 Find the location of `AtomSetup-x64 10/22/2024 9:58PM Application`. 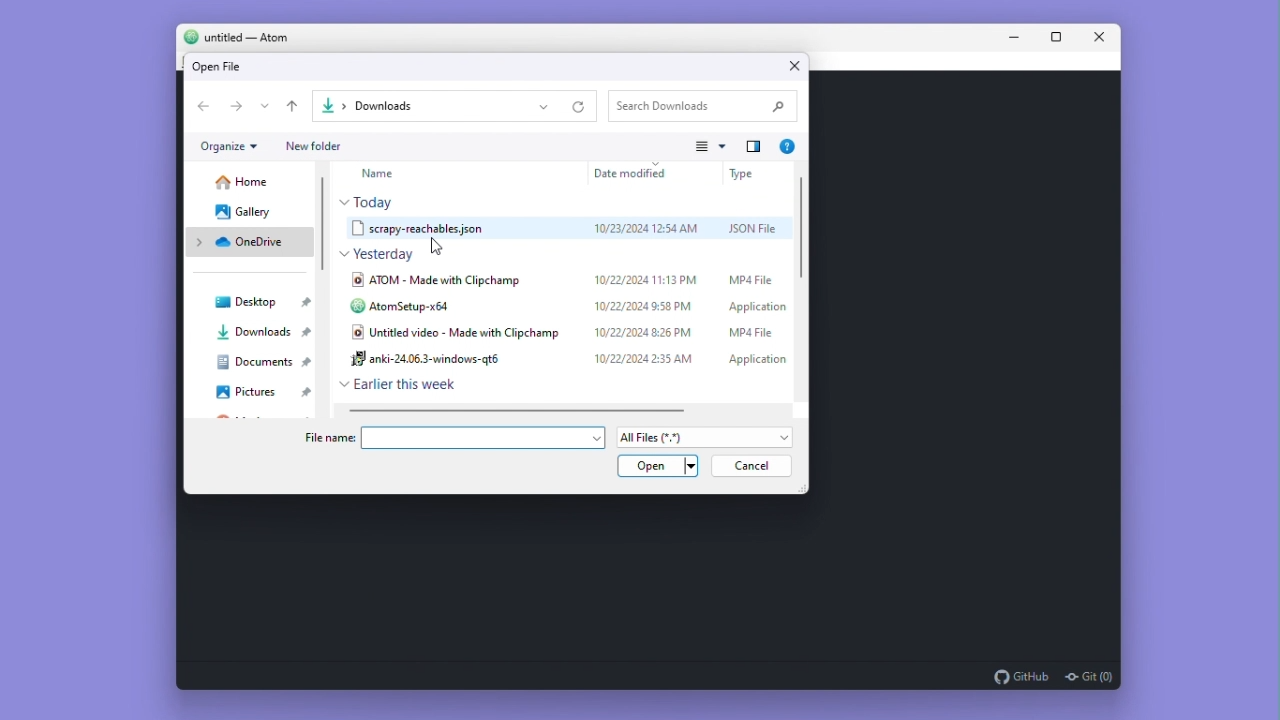

AtomSetup-x64 10/22/2024 9:58PM Application is located at coordinates (566, 307).